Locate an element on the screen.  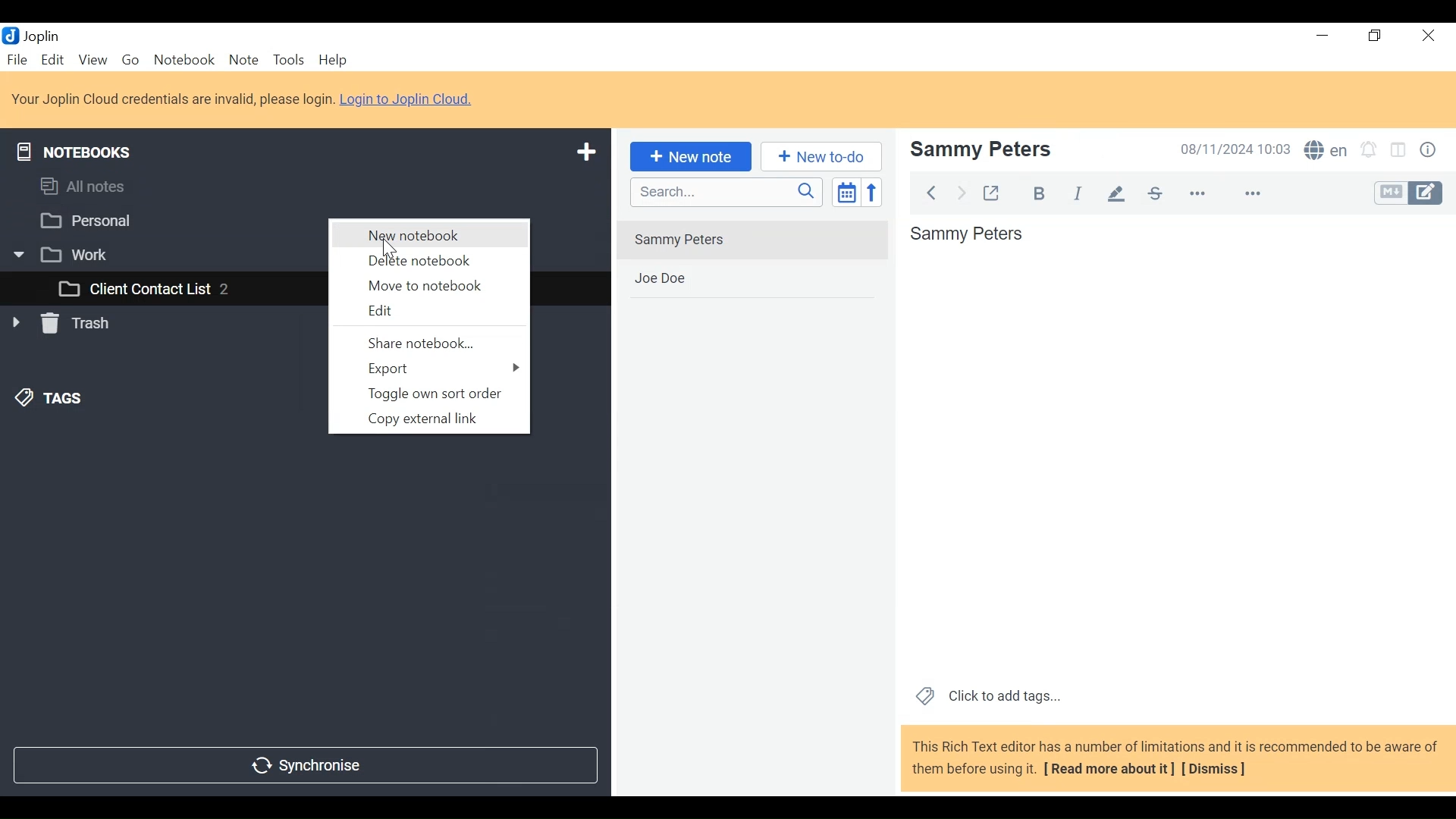
Click to add tags is located at coordinates (990, 697).